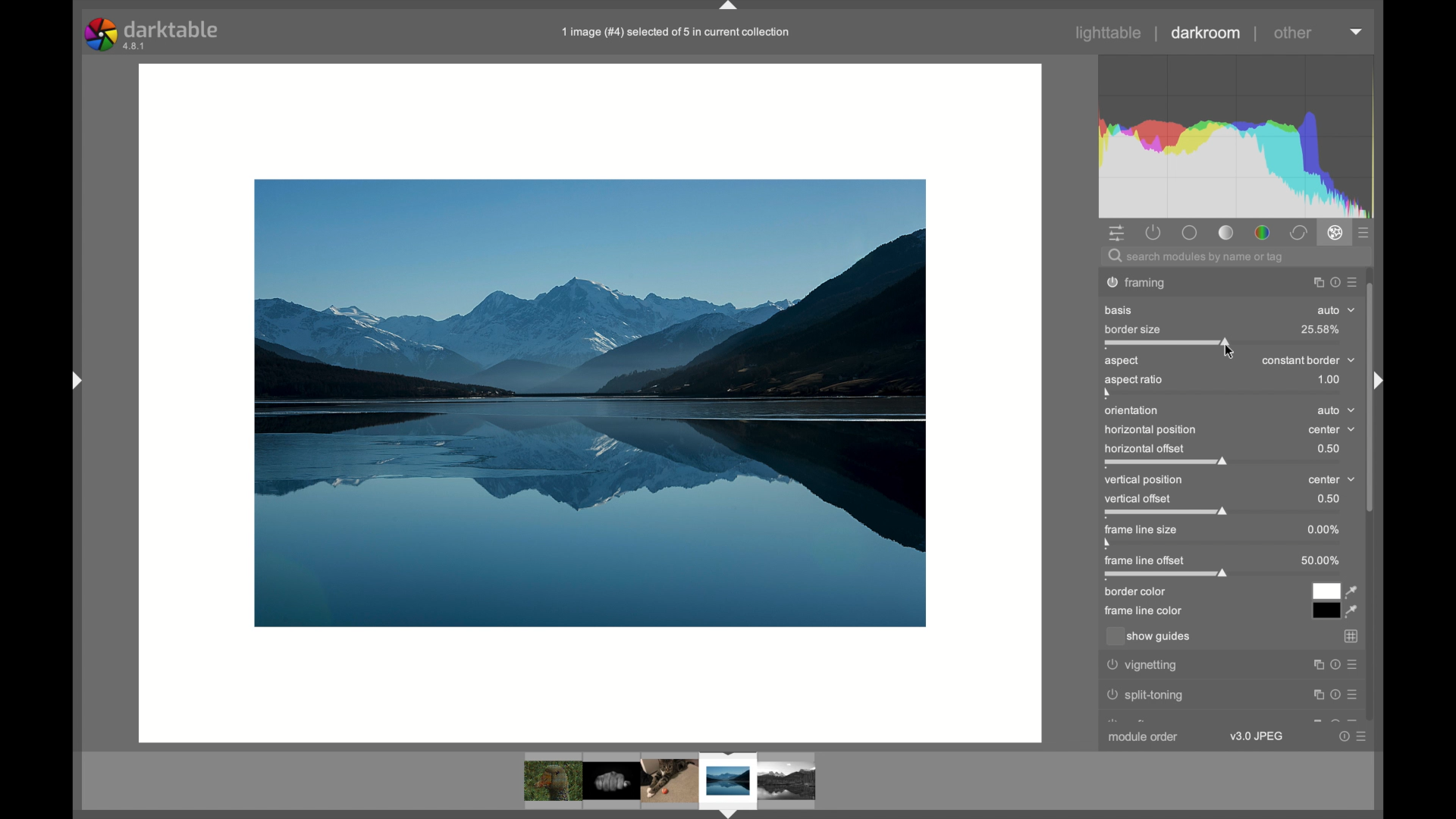  Describe the element at coordinates (1337, 312) in the screenshot. I see `auto dropdown` at that location.